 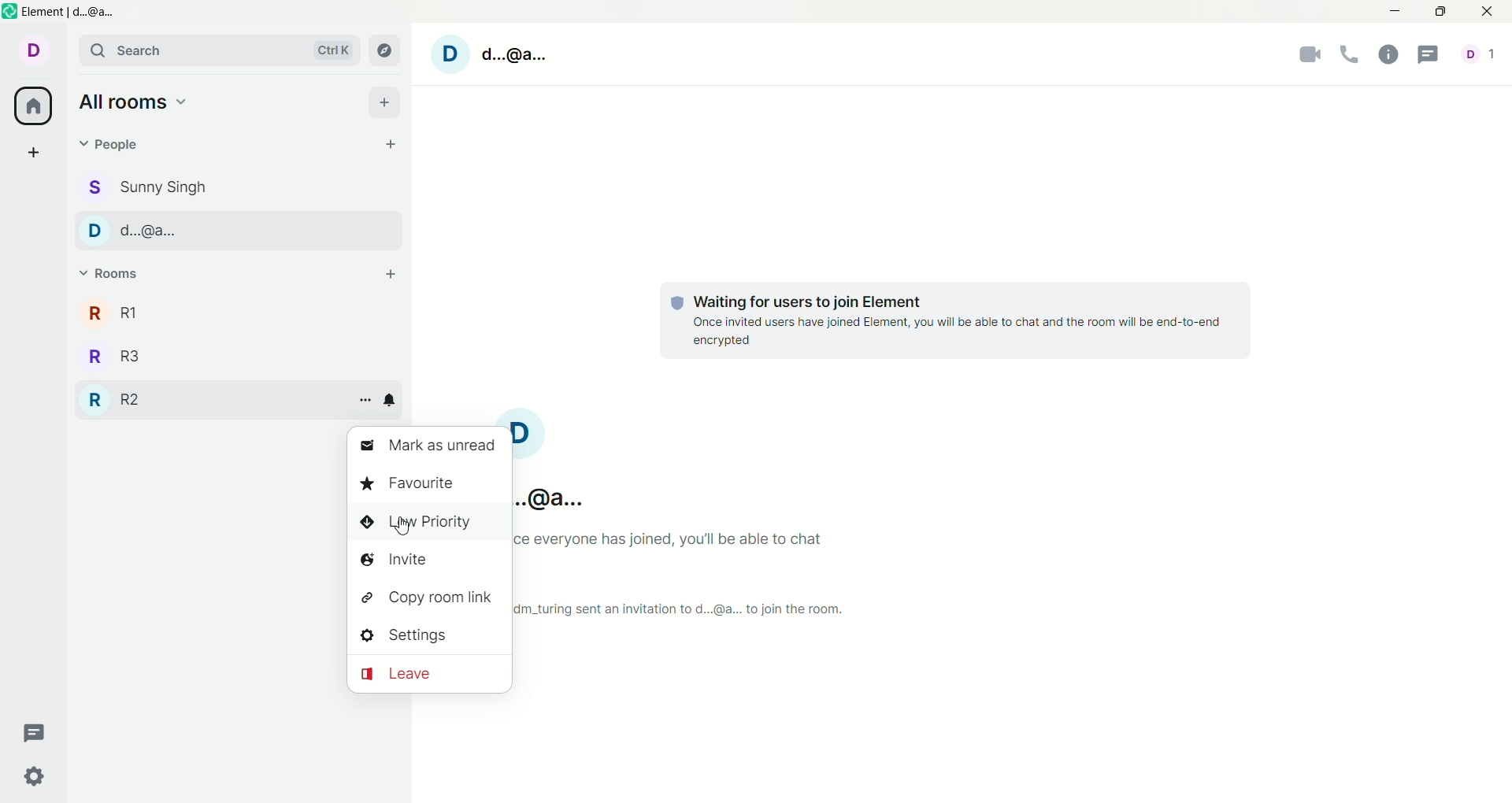 I want to click on threads, so click(x=32, y=735).